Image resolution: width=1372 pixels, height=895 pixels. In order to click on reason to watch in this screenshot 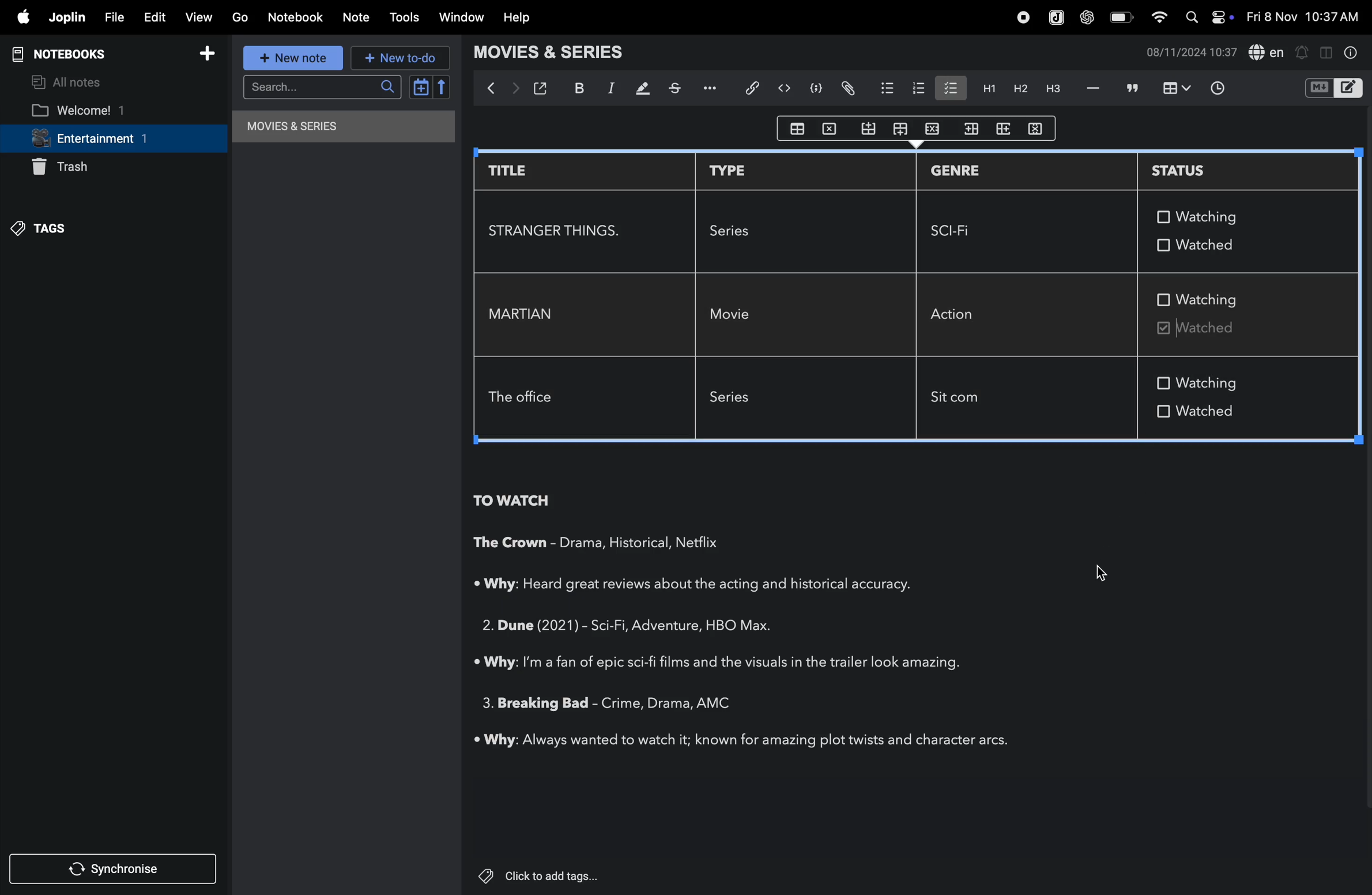, I will do `click(744, 741)`.